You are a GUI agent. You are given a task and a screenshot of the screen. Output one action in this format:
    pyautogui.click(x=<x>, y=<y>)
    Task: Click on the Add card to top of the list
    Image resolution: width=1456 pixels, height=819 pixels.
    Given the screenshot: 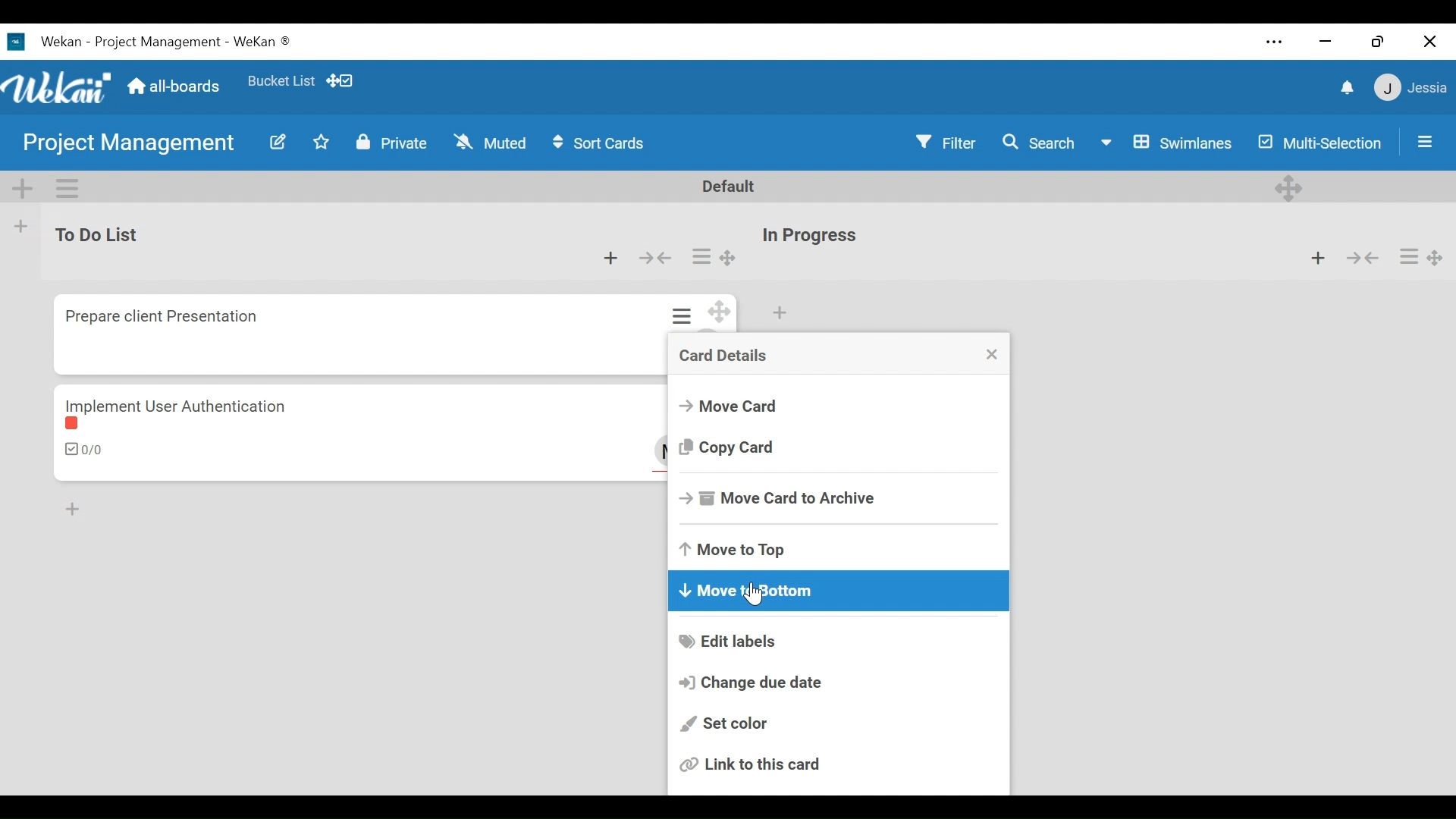 What is the action you would take?
    pyautogui.click(x=1318, y=258)
    